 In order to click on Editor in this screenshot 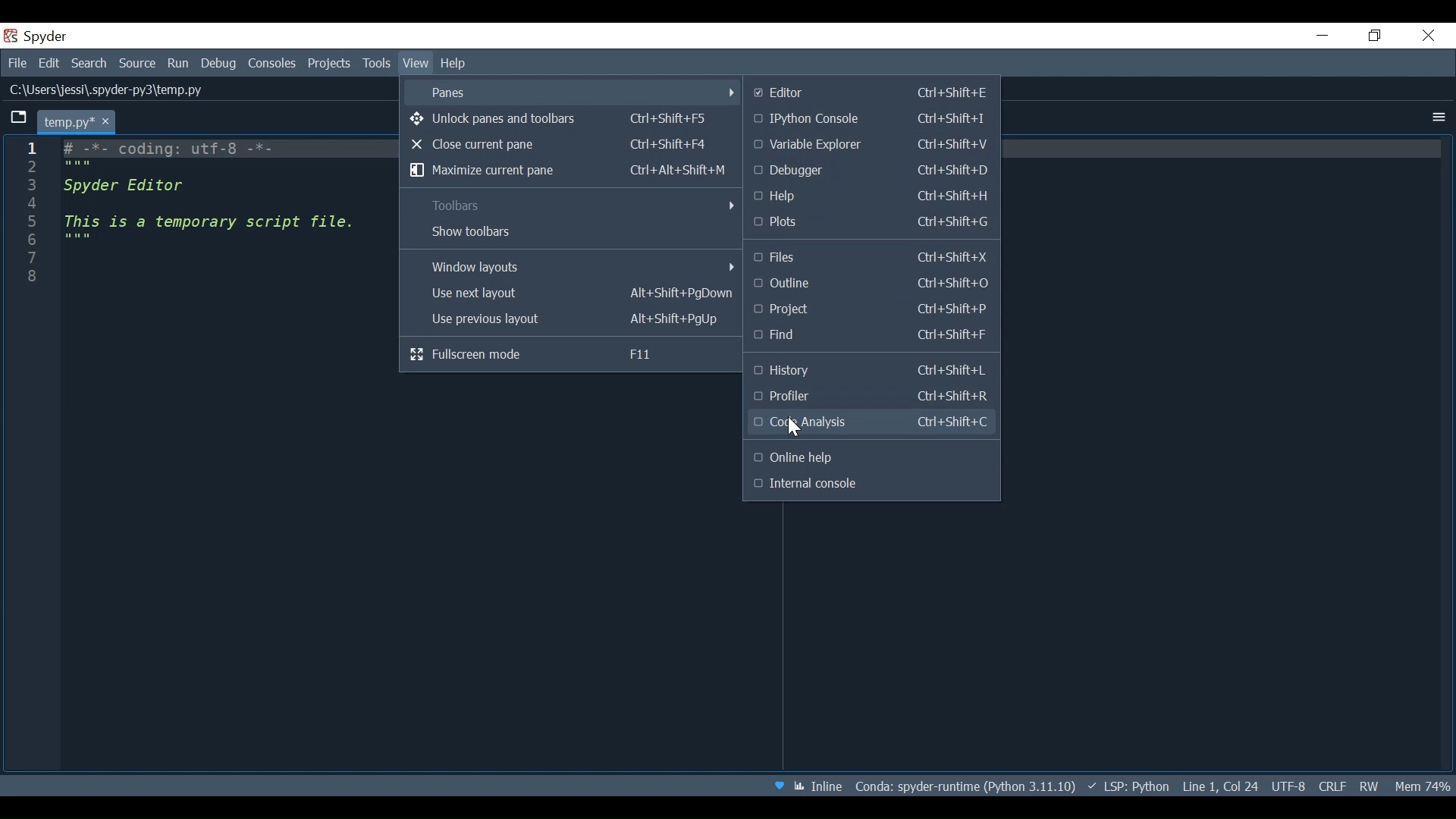, I will do `click(868, 93)`.